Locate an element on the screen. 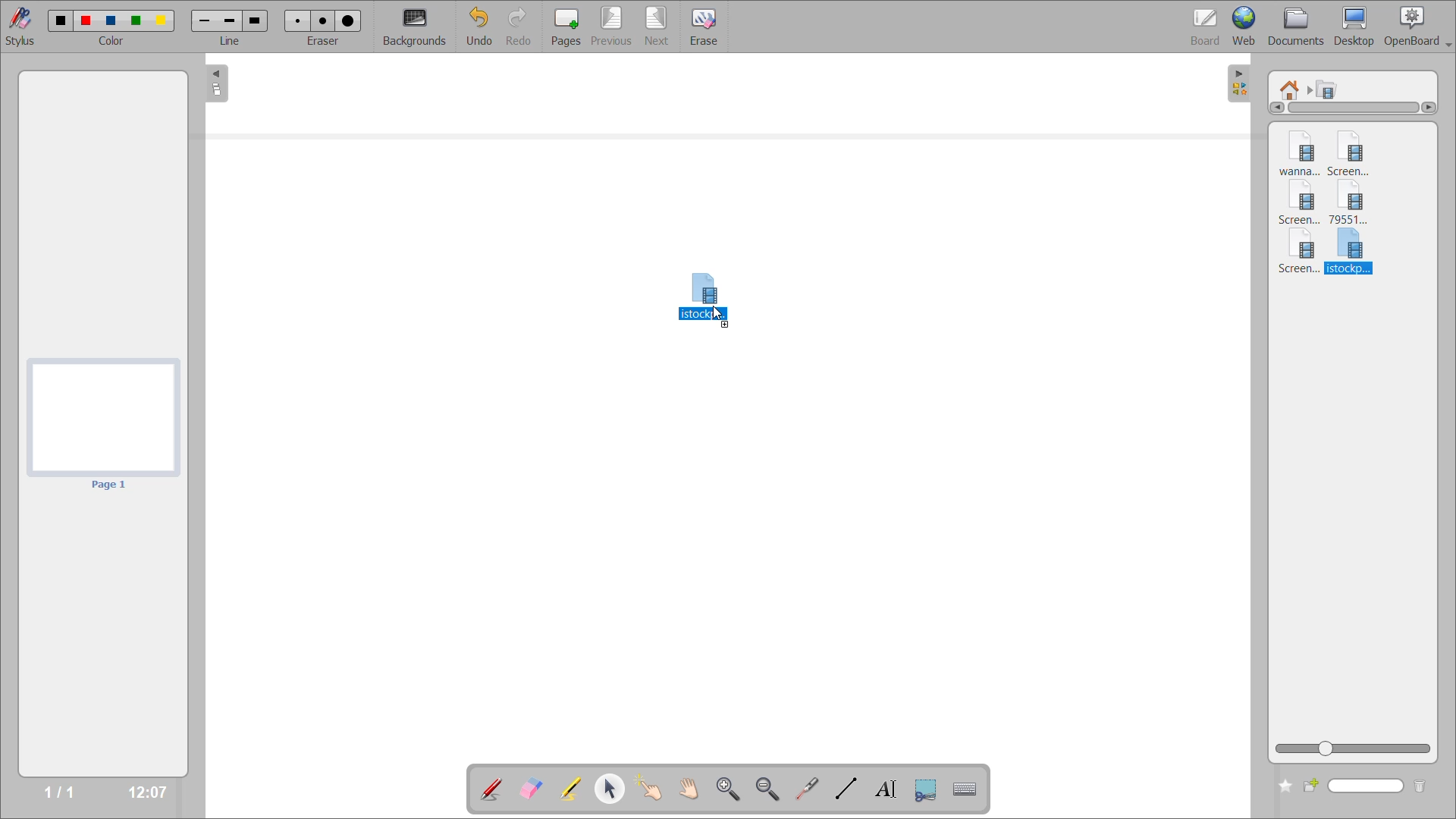  previous is located at coordinates (609, 27).